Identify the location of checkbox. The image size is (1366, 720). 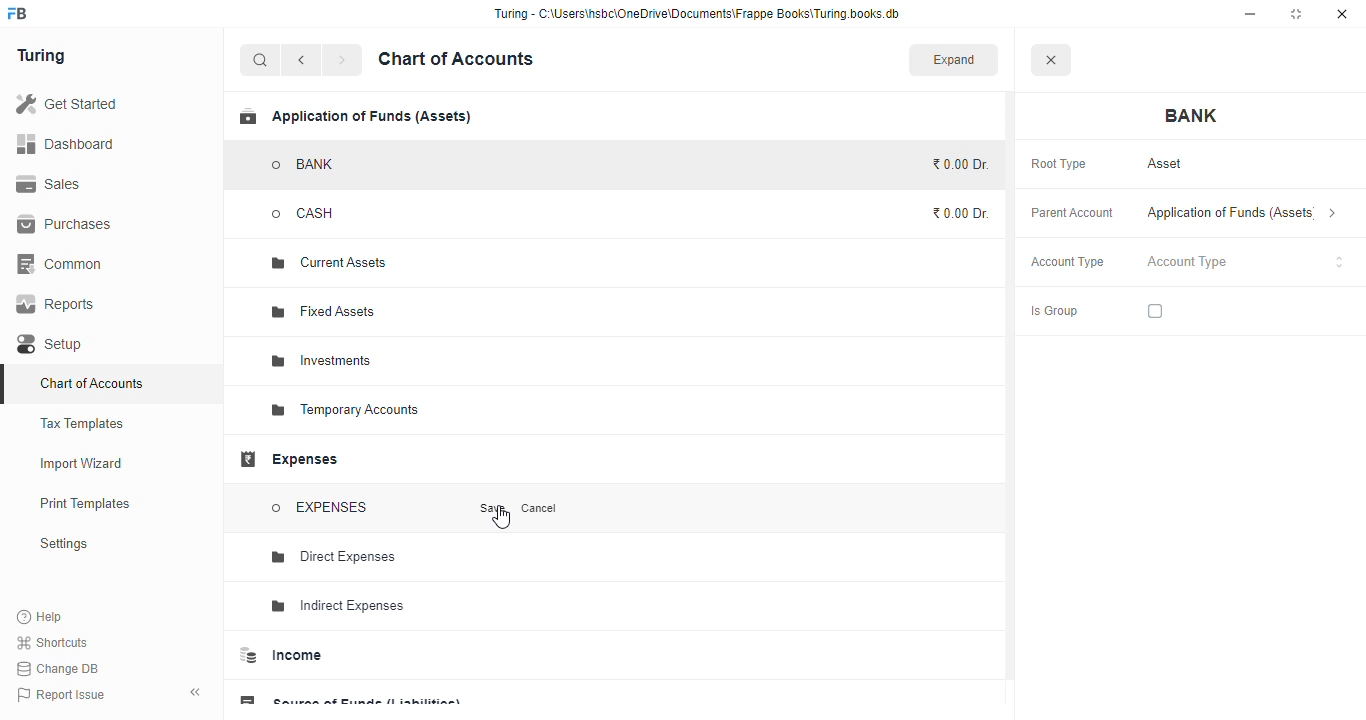
(1155, 311).